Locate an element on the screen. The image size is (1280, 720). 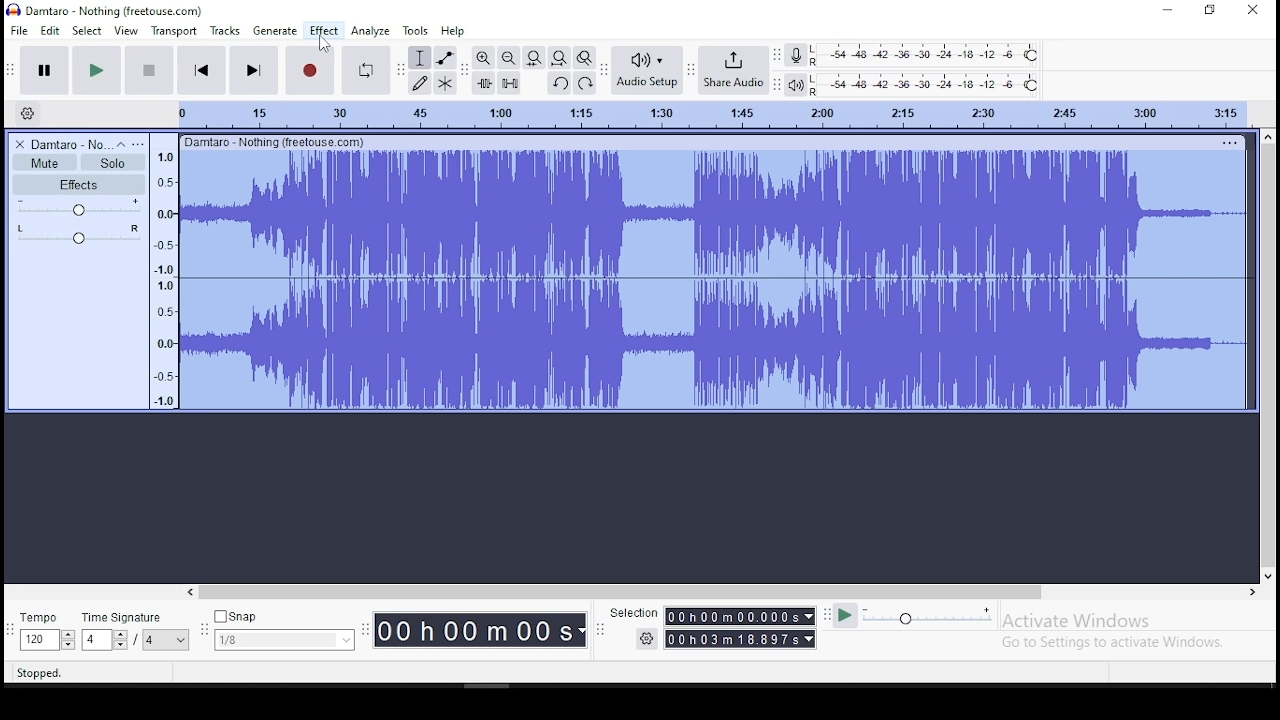
redo is located at coordinates (586, 83).